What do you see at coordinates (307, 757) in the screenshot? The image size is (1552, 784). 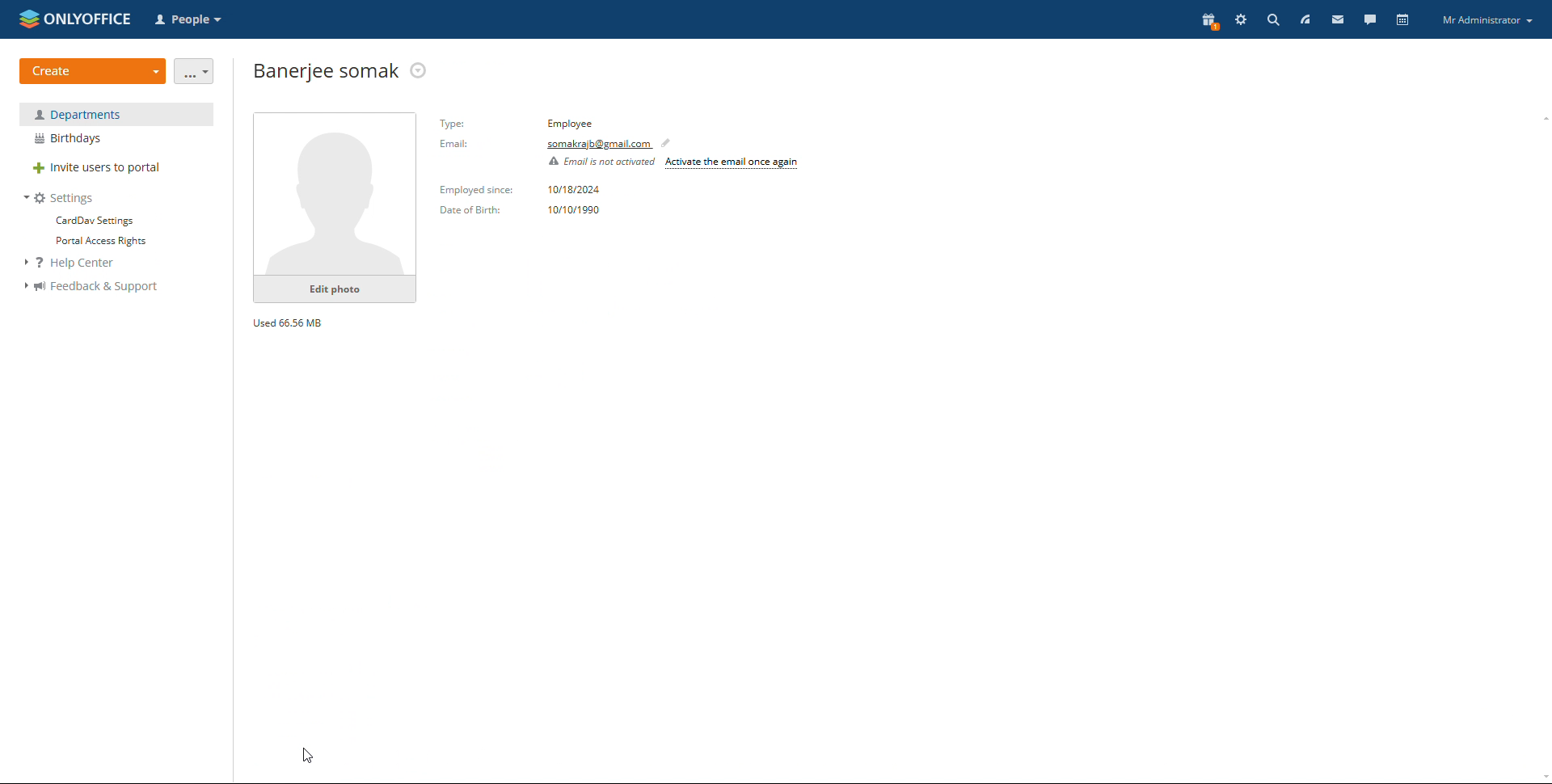 I see `Cursor` at bounding box center [307, 757].